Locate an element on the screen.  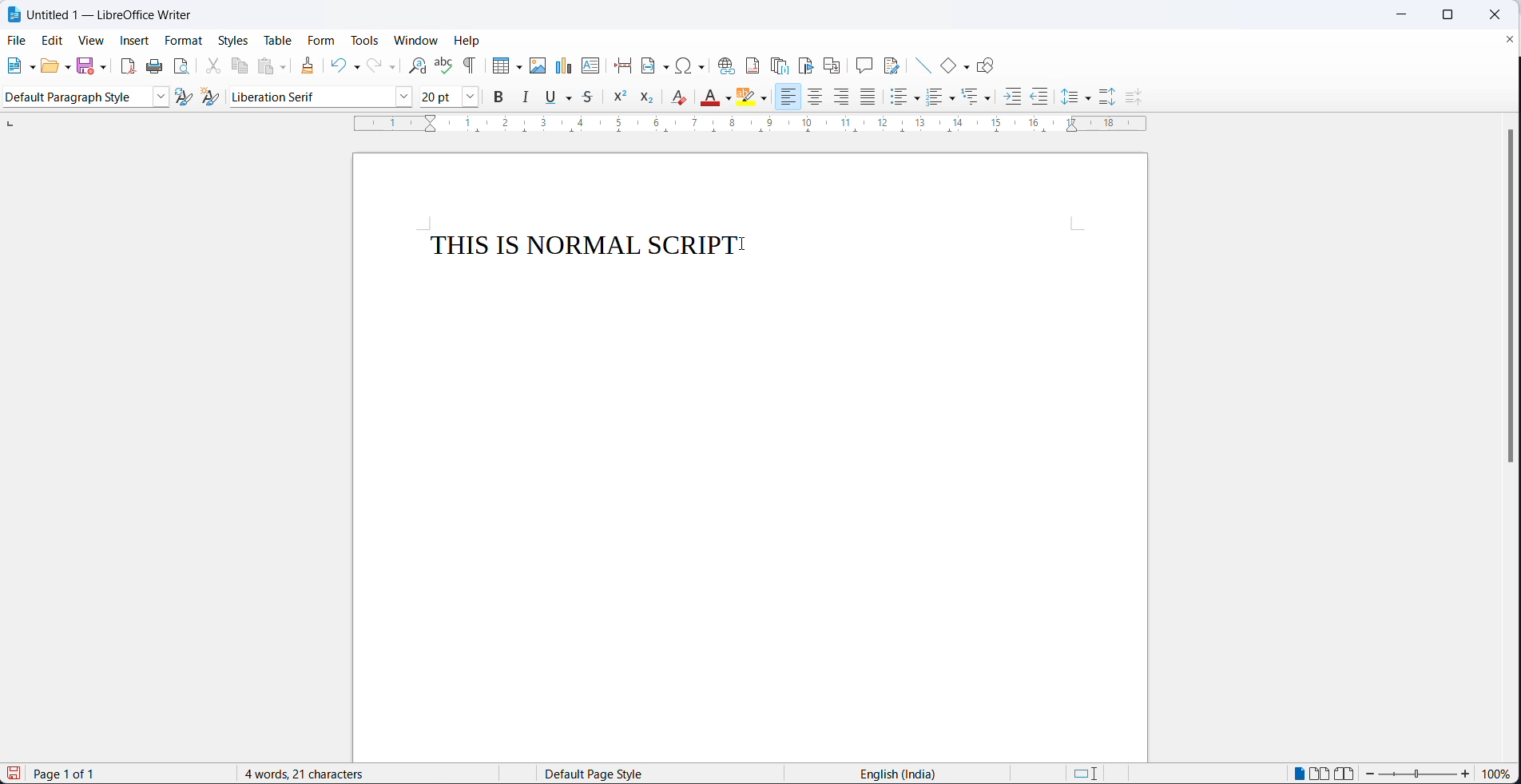
open options is located at coordinates (67, 65).